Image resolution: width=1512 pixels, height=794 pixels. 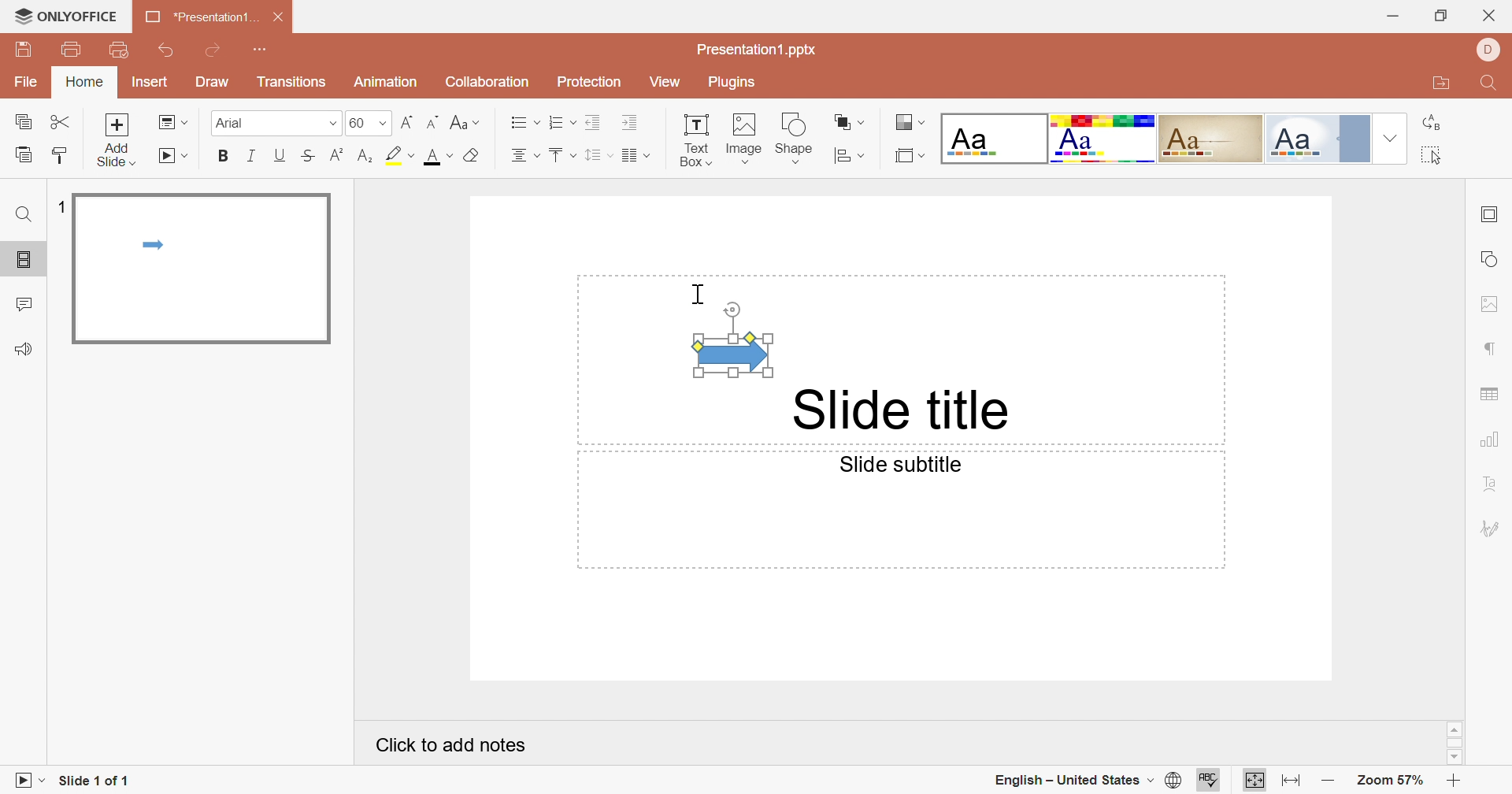 I want to click on Add slide, so click(x=117, y=140).